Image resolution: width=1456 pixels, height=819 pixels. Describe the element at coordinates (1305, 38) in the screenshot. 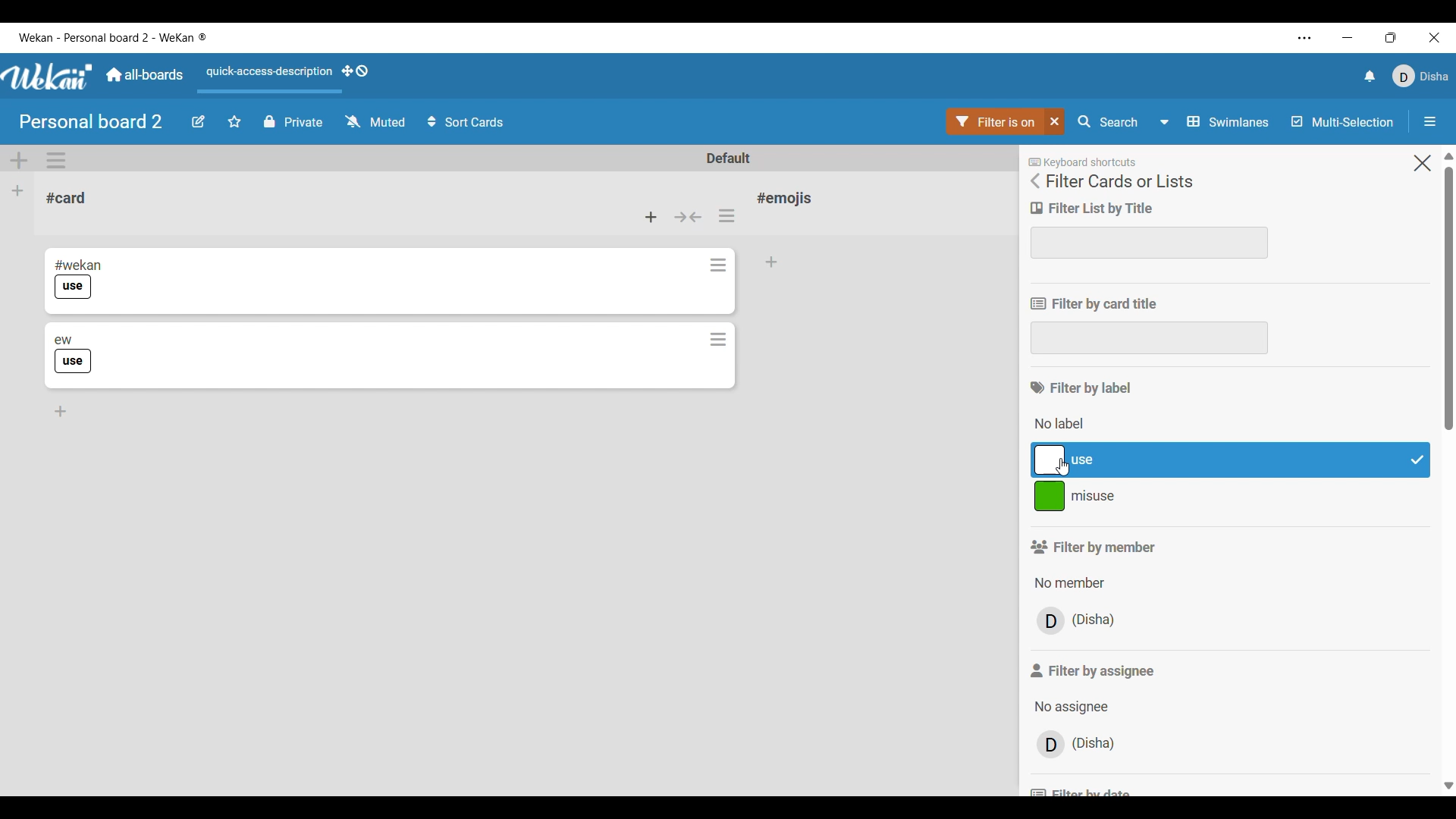

I see `Settings and more` at that location.